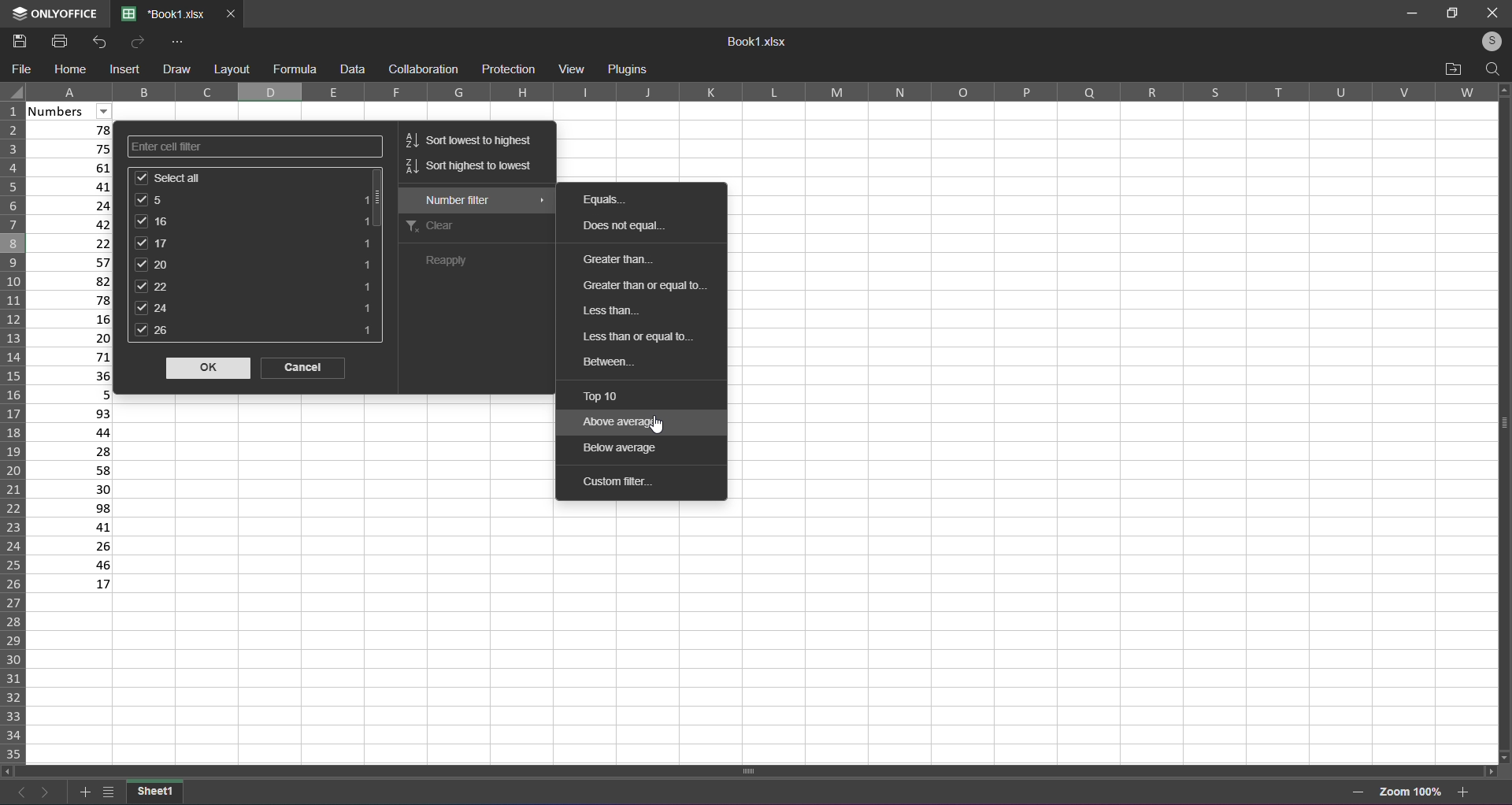  Describe the element at coordinates (19, 40) in the screenshot. I see `save` at that location.